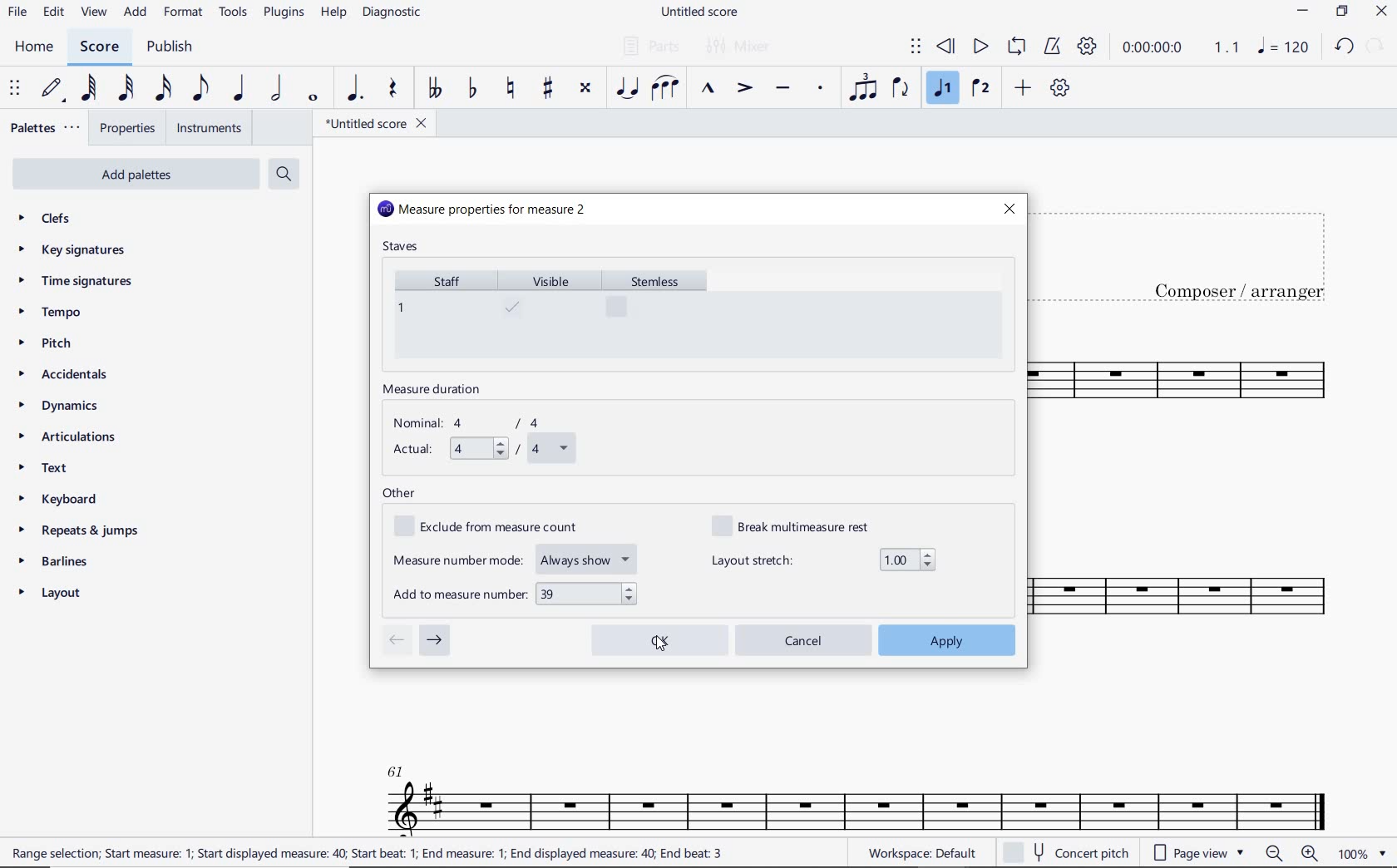  What do you see at coordinates (311, 97) in the screenshot?
I see `WHOLE NOTE` at bounding box center [311, 97].